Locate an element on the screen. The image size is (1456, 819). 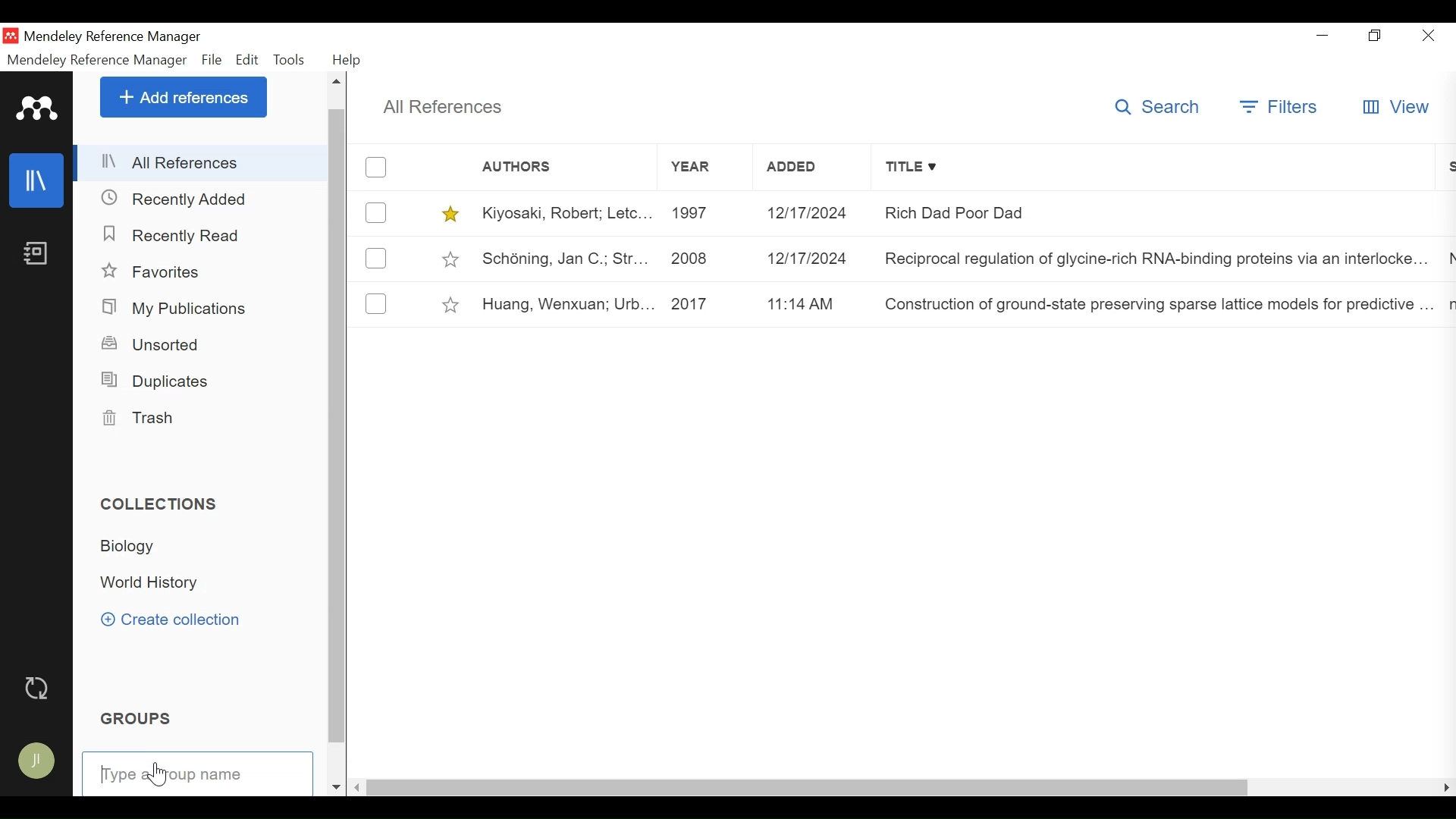
12/17/2024 is located at coordinates (812, 257).